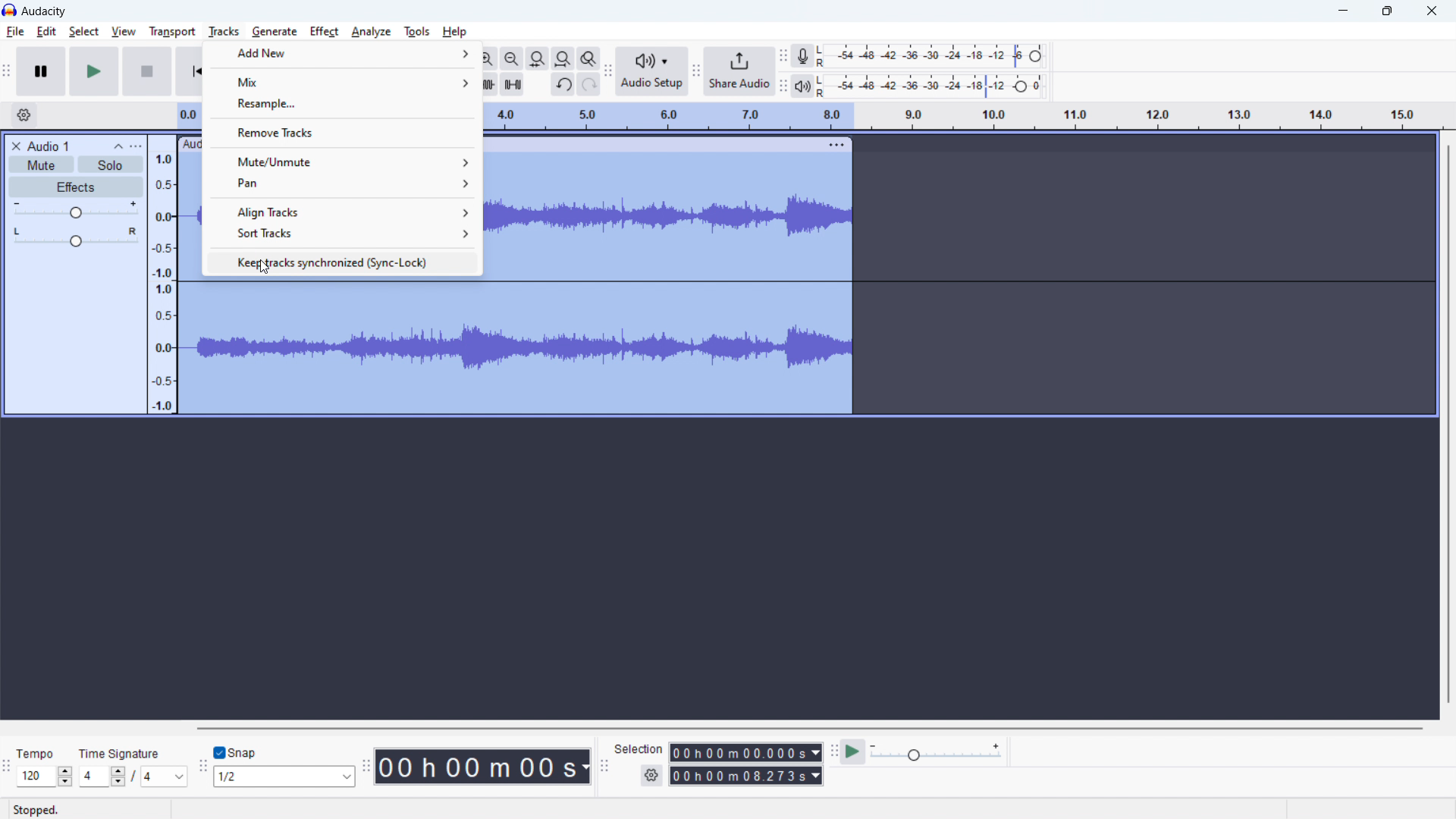  Describe the element at coordinates (236, 752) in the screenshot. I see `toggle snap` at that location.